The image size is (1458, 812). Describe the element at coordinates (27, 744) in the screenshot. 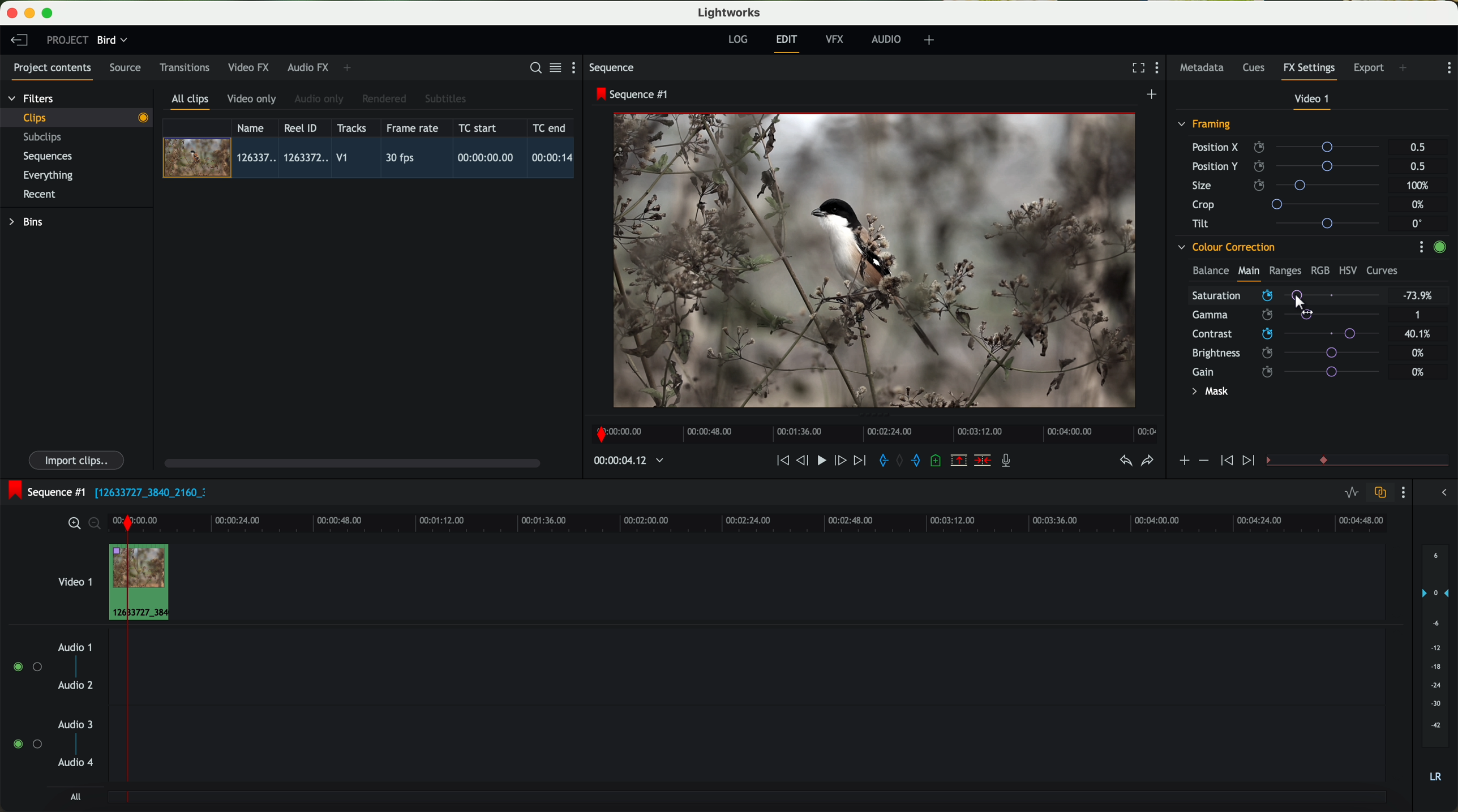

I see `enable audio` at that location.